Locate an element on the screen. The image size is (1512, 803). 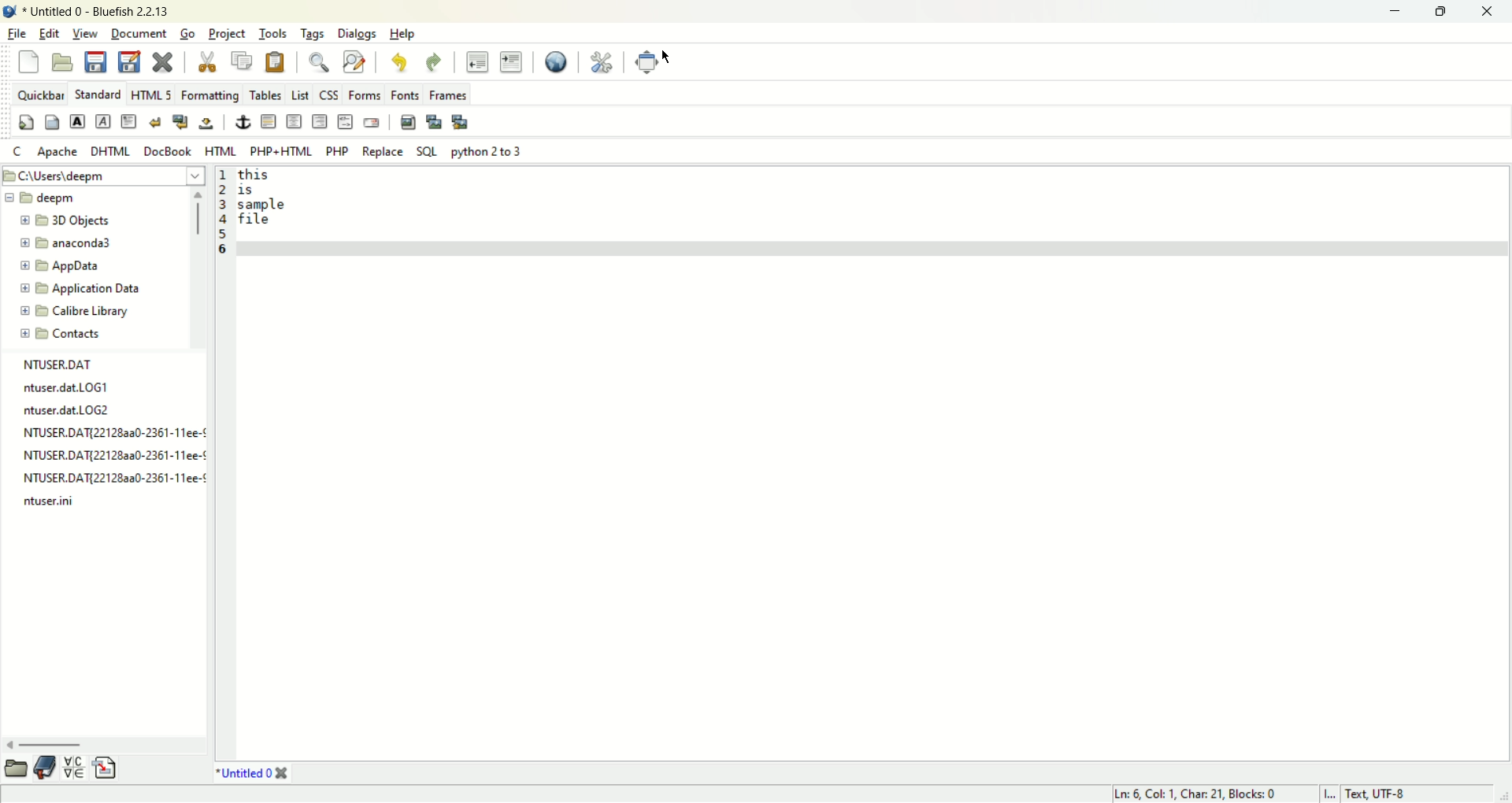
redo is located at coordinates (435, 62).